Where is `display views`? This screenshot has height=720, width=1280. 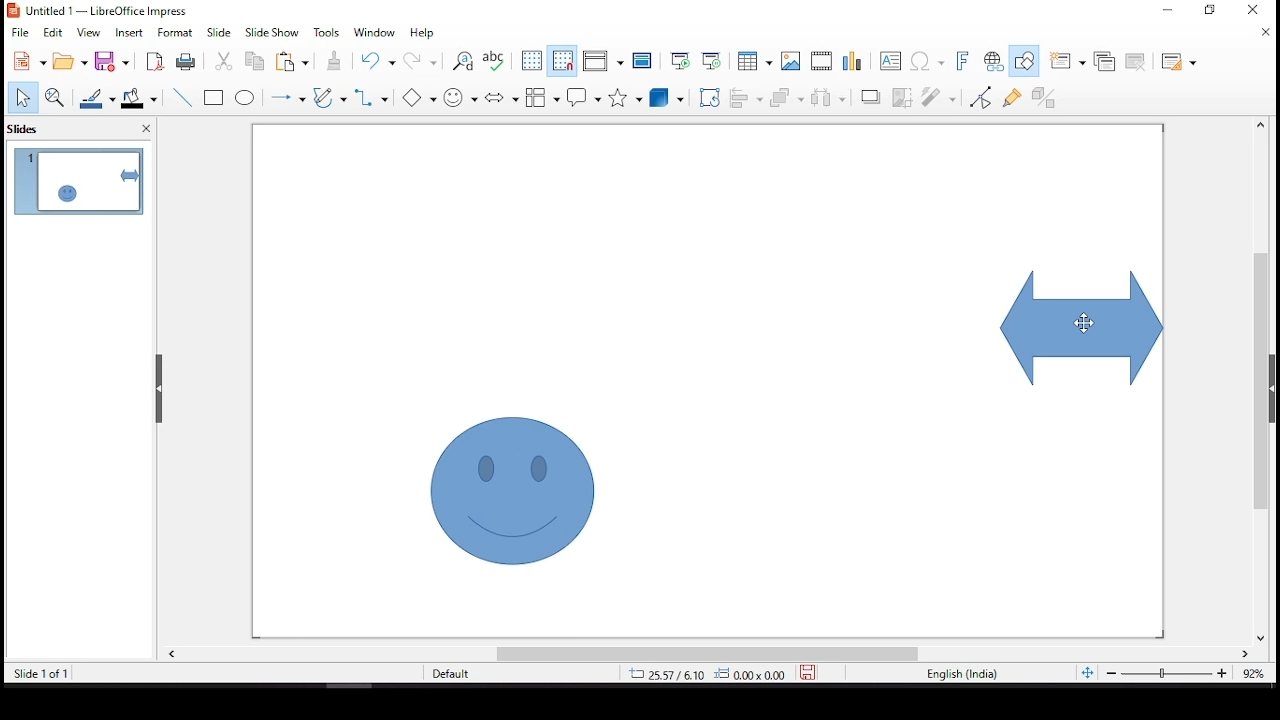 display views is located at coordinates (603, 62).